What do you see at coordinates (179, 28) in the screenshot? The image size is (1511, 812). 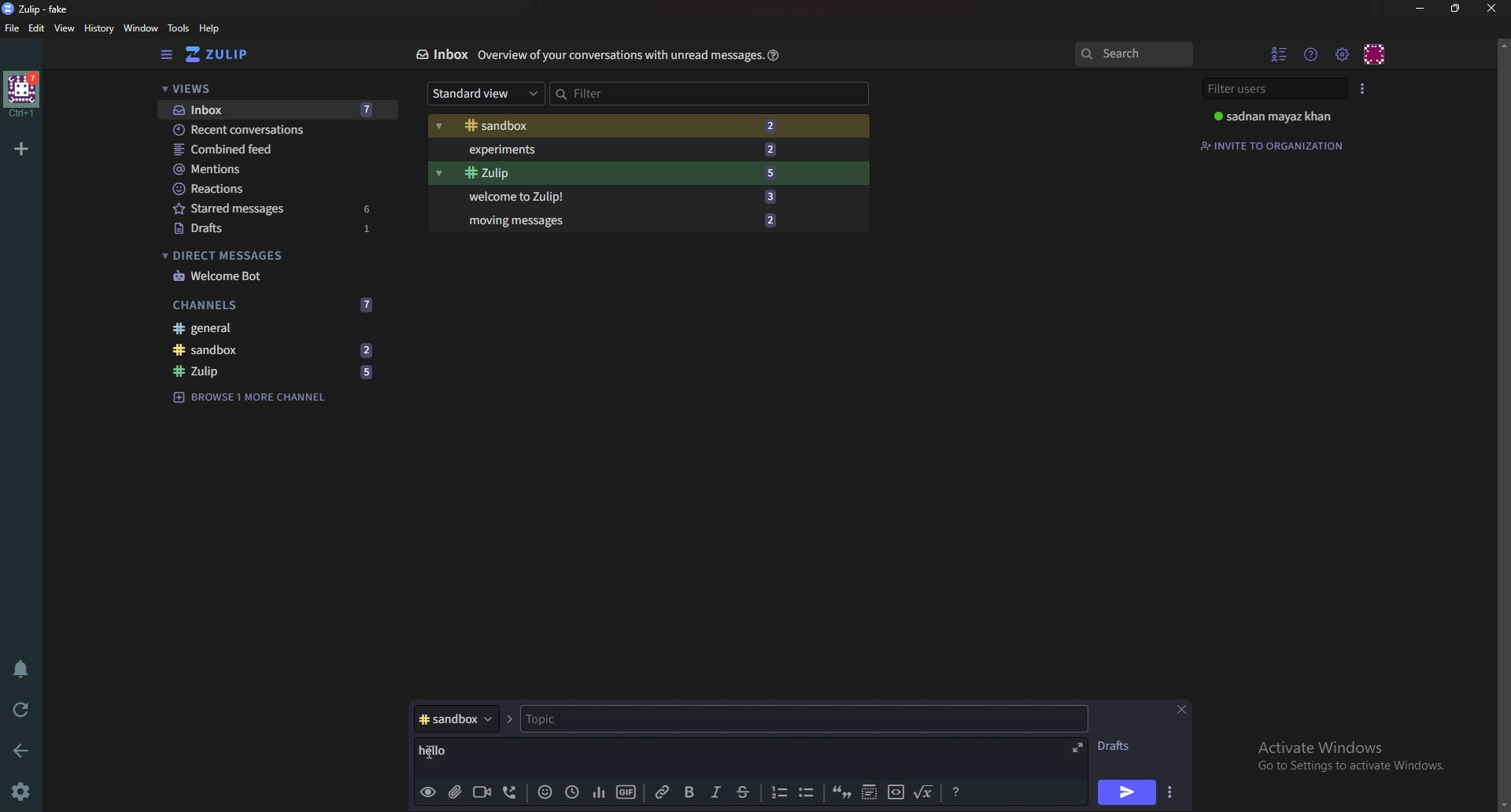 I see `Tools` at bounding box center [179, 28].